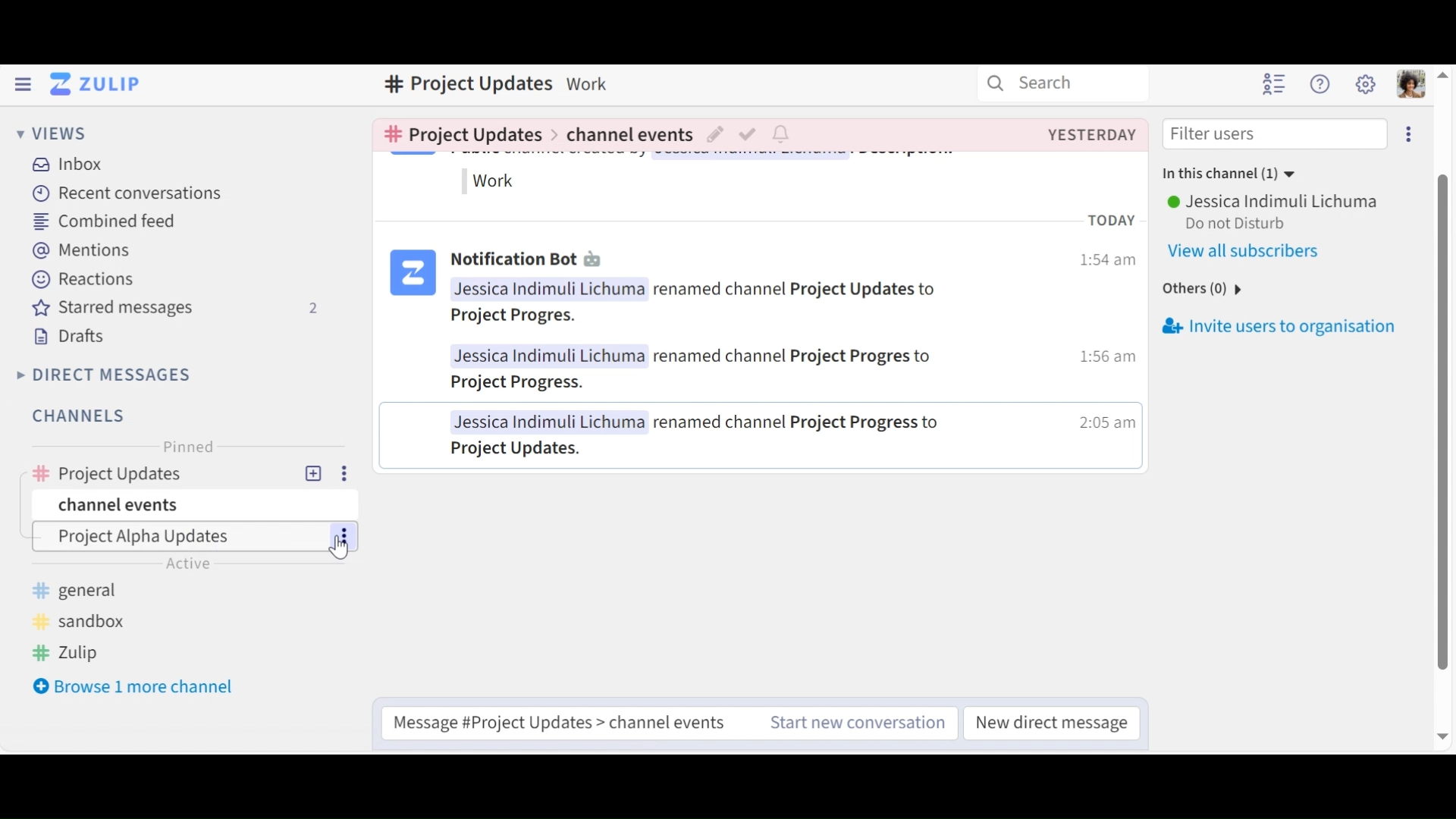 The width and height of the screenshot is (1456, 819). What do you see at coordinates (1244, 223) in the screenshot?
I see `Do not Disturb` at bounding box center [1244, 223].